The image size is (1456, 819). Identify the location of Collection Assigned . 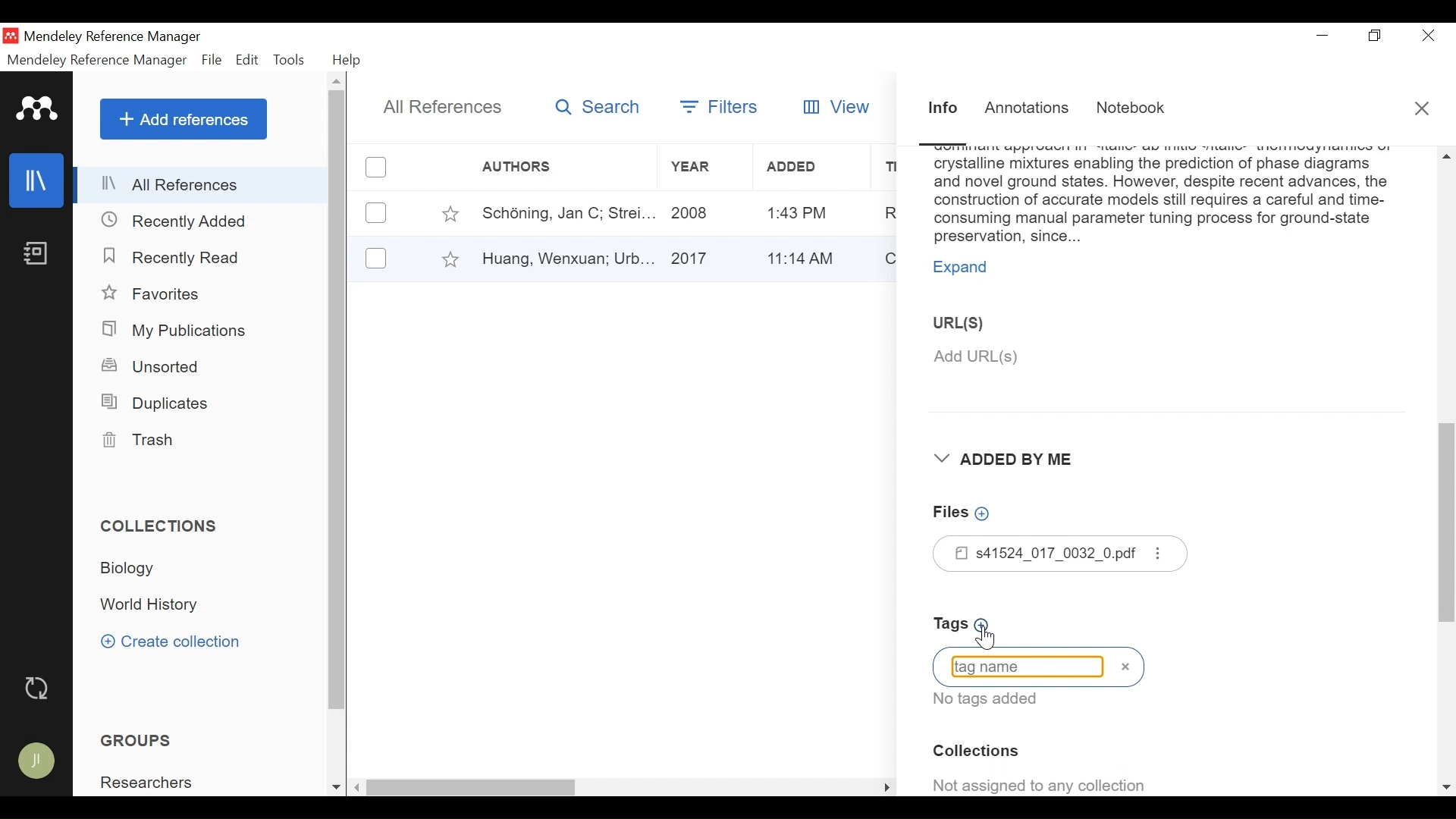
(1043, 783).